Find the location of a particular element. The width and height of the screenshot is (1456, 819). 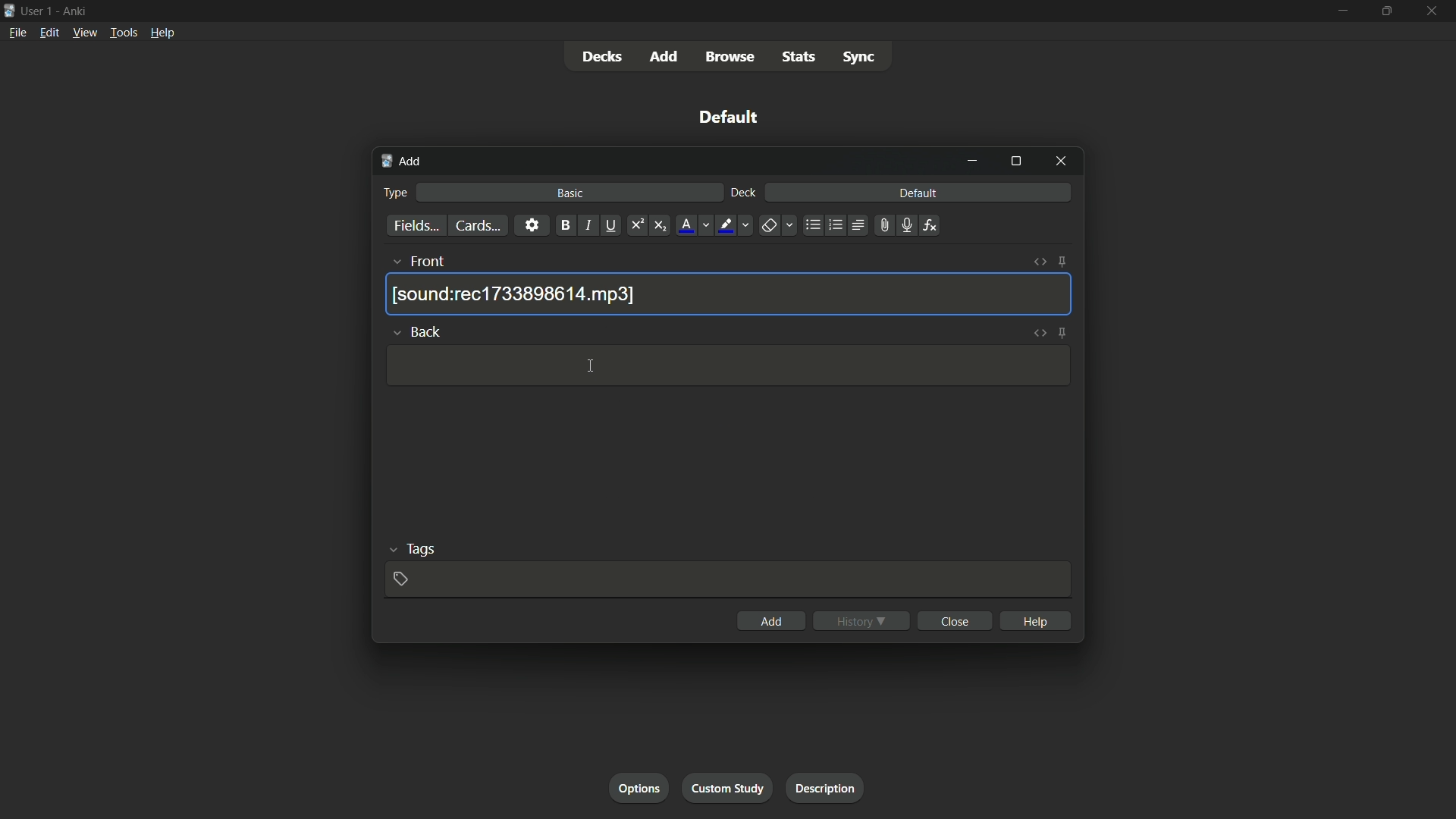

toggle sticky is located at coordinates (1062, 262).